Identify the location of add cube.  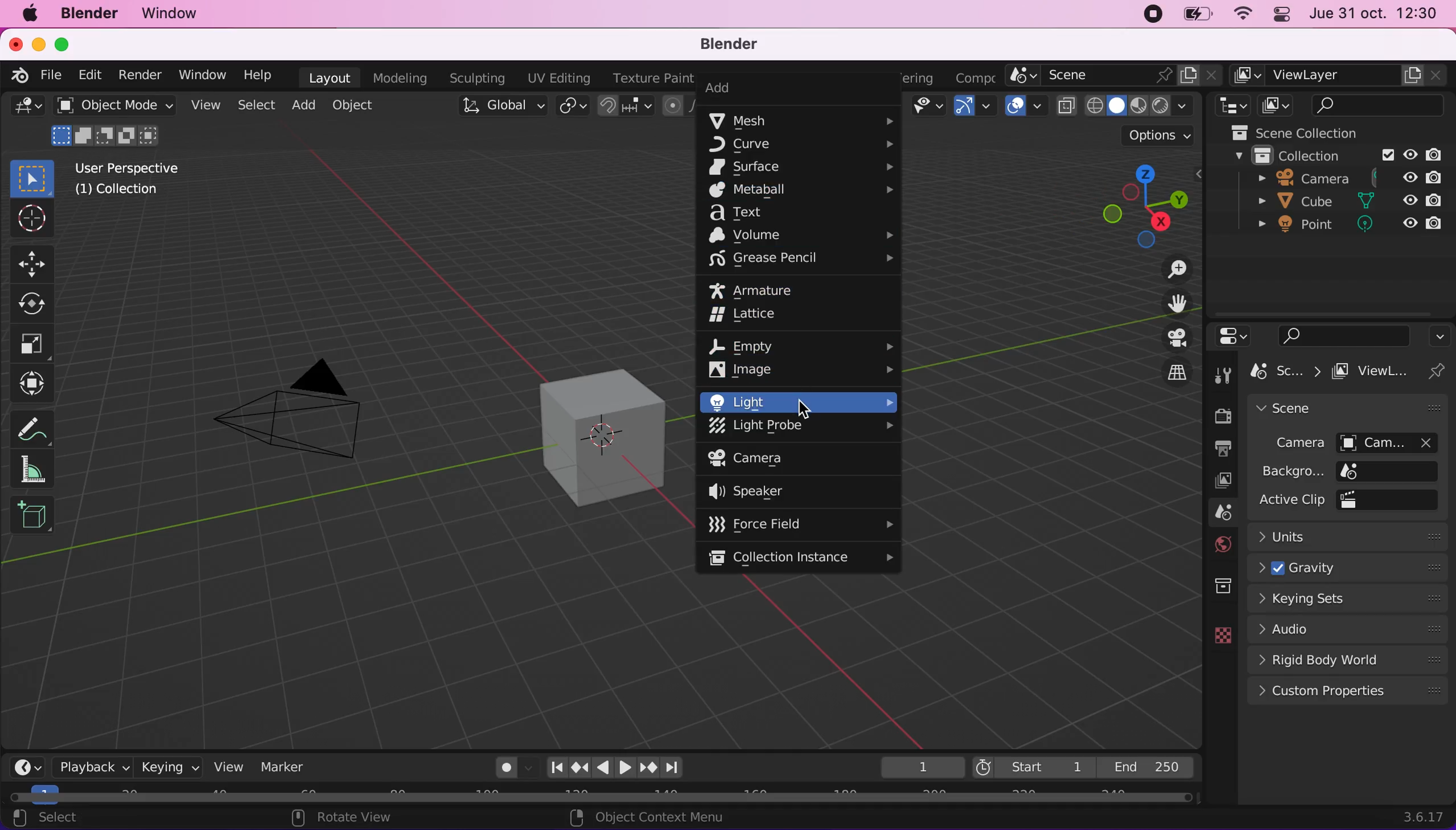
(36, 517).